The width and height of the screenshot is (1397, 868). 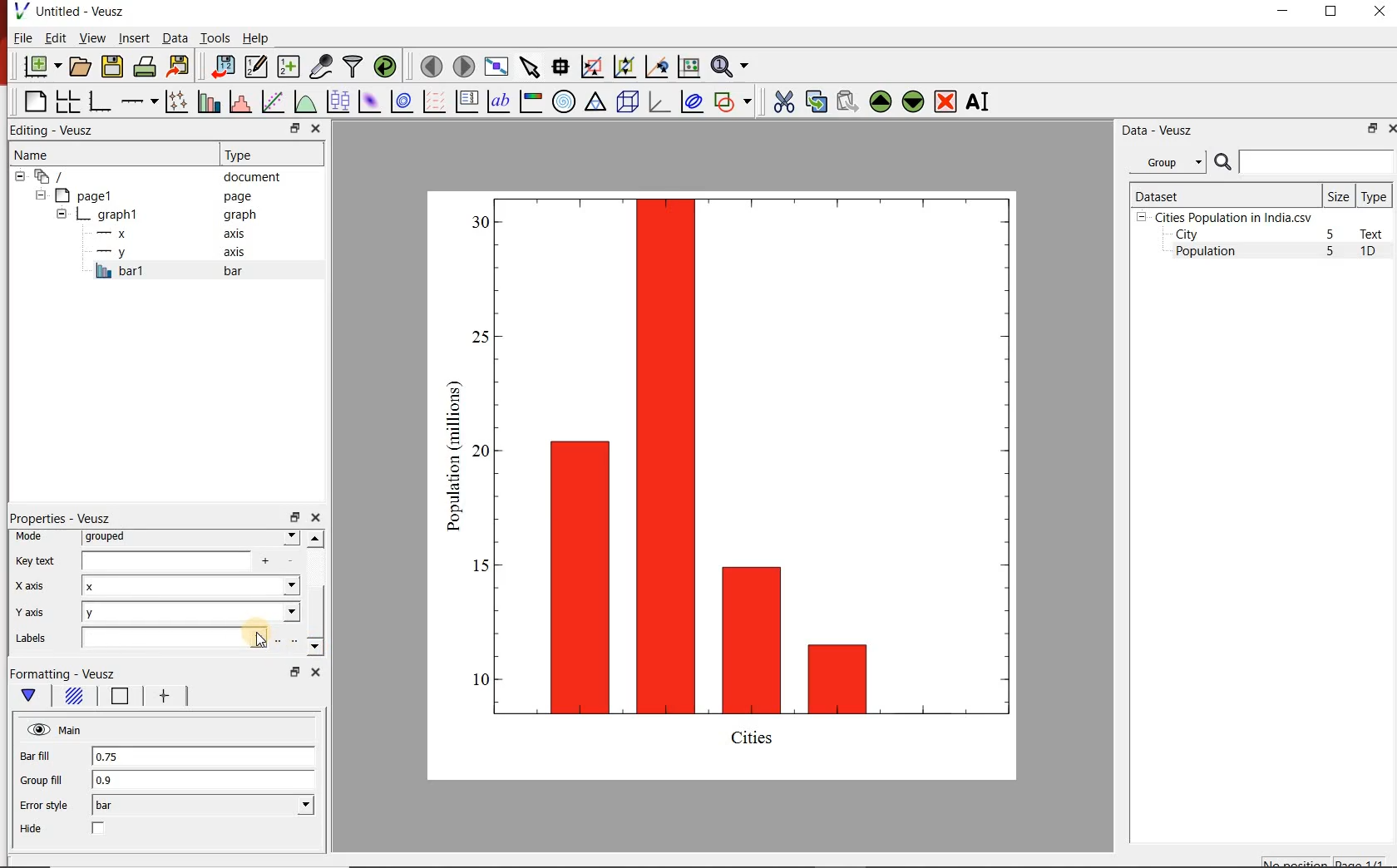 I want to click on View, so click(x=89, y=37).